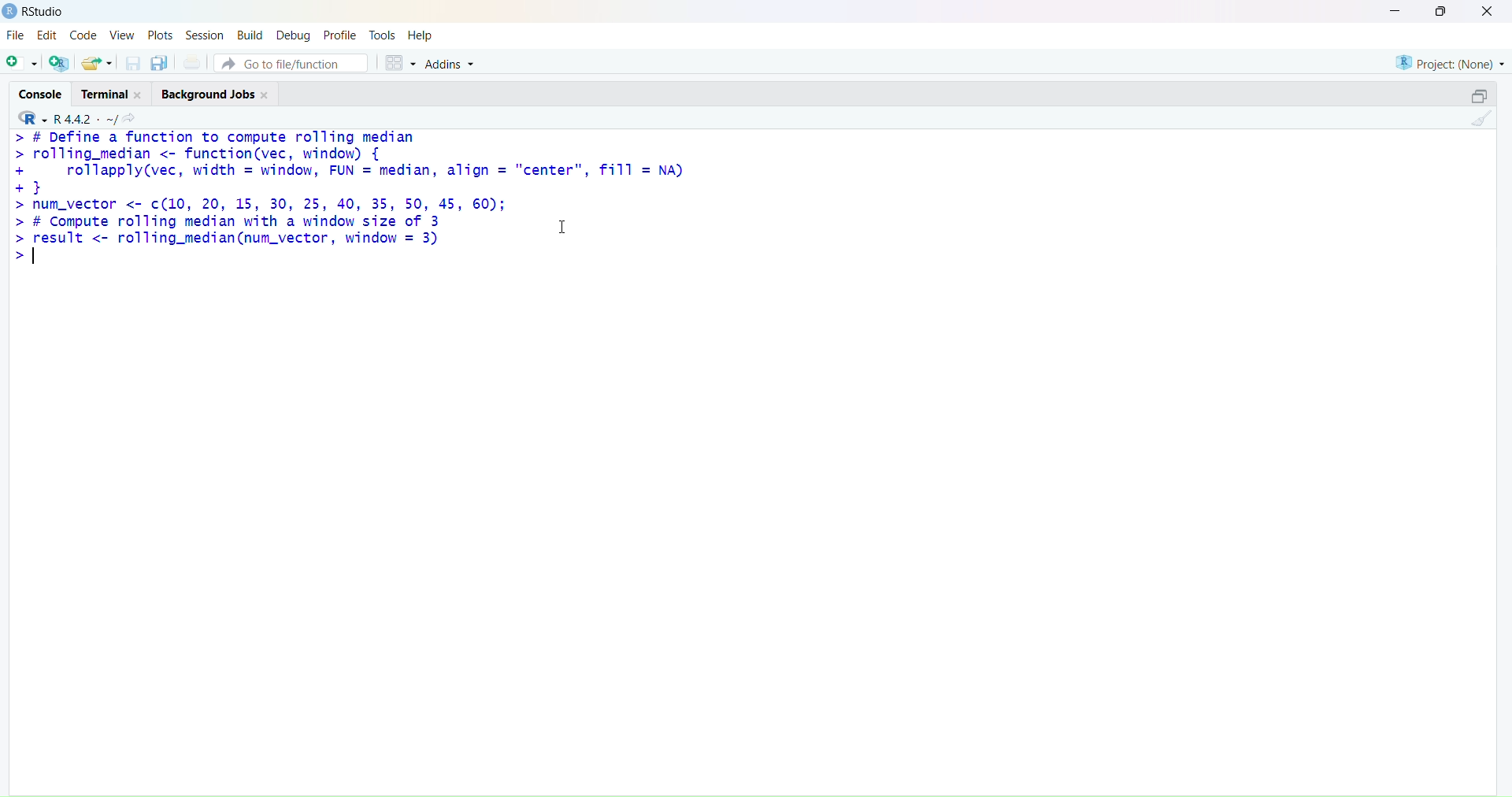 The image size is (1512, 797). Describe the element at coordinates (60, 64) in the screenshot. I see `add R file` at that location.